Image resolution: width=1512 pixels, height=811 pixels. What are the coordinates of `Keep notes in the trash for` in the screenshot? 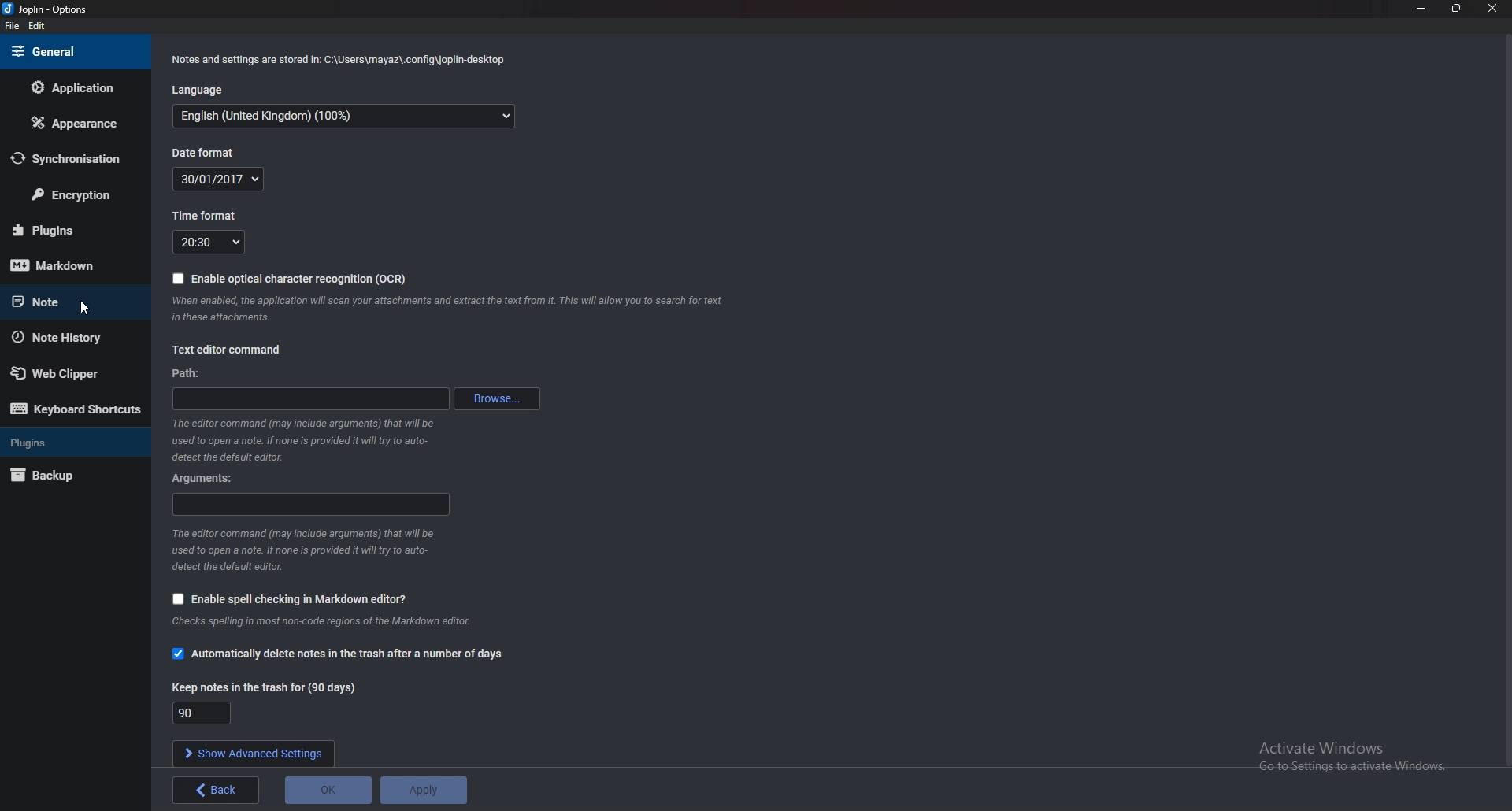 It's located at (264, 687).